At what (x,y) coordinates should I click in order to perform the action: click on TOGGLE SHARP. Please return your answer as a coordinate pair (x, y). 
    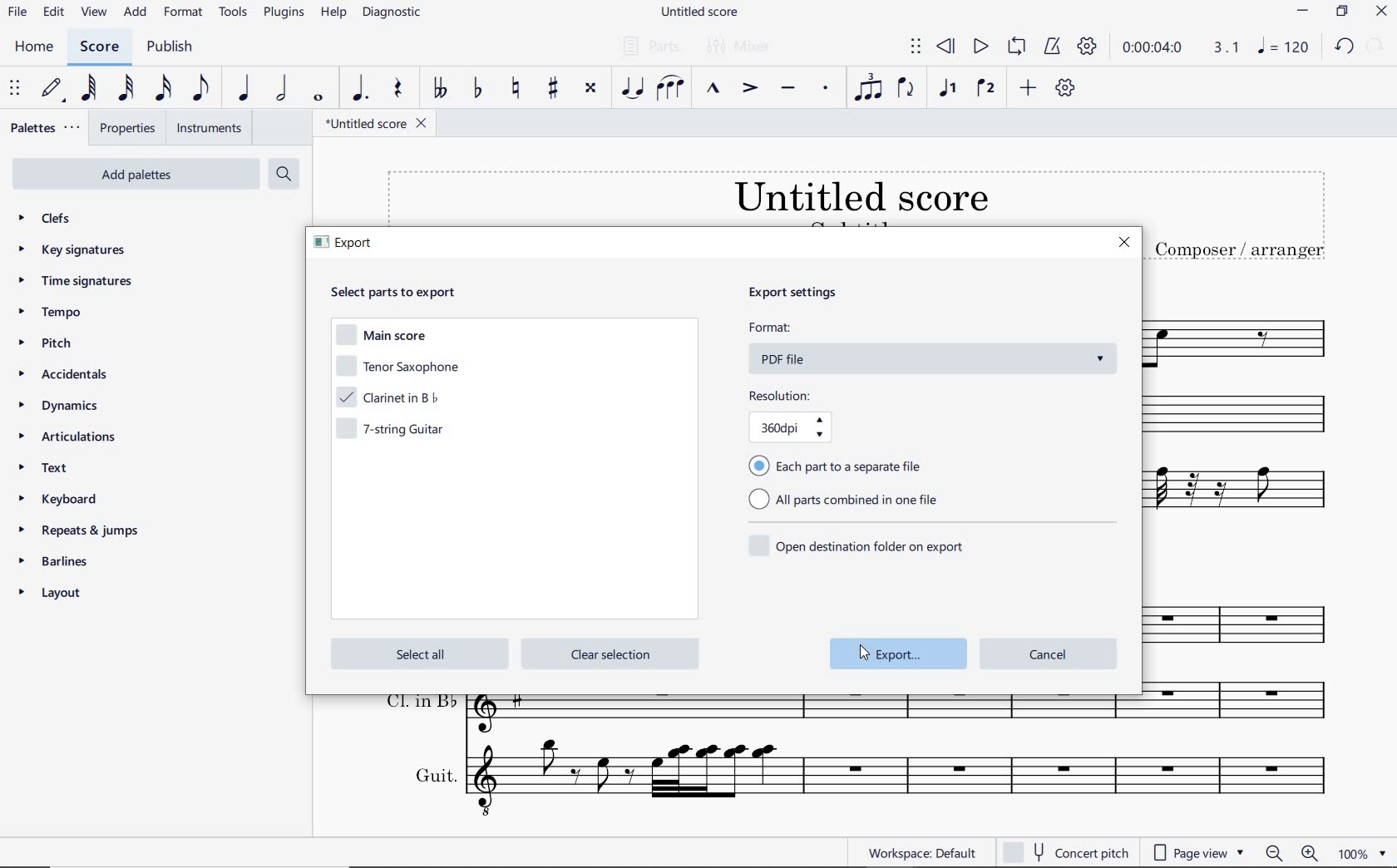
    Looking at the image, I should click on (554, 90).